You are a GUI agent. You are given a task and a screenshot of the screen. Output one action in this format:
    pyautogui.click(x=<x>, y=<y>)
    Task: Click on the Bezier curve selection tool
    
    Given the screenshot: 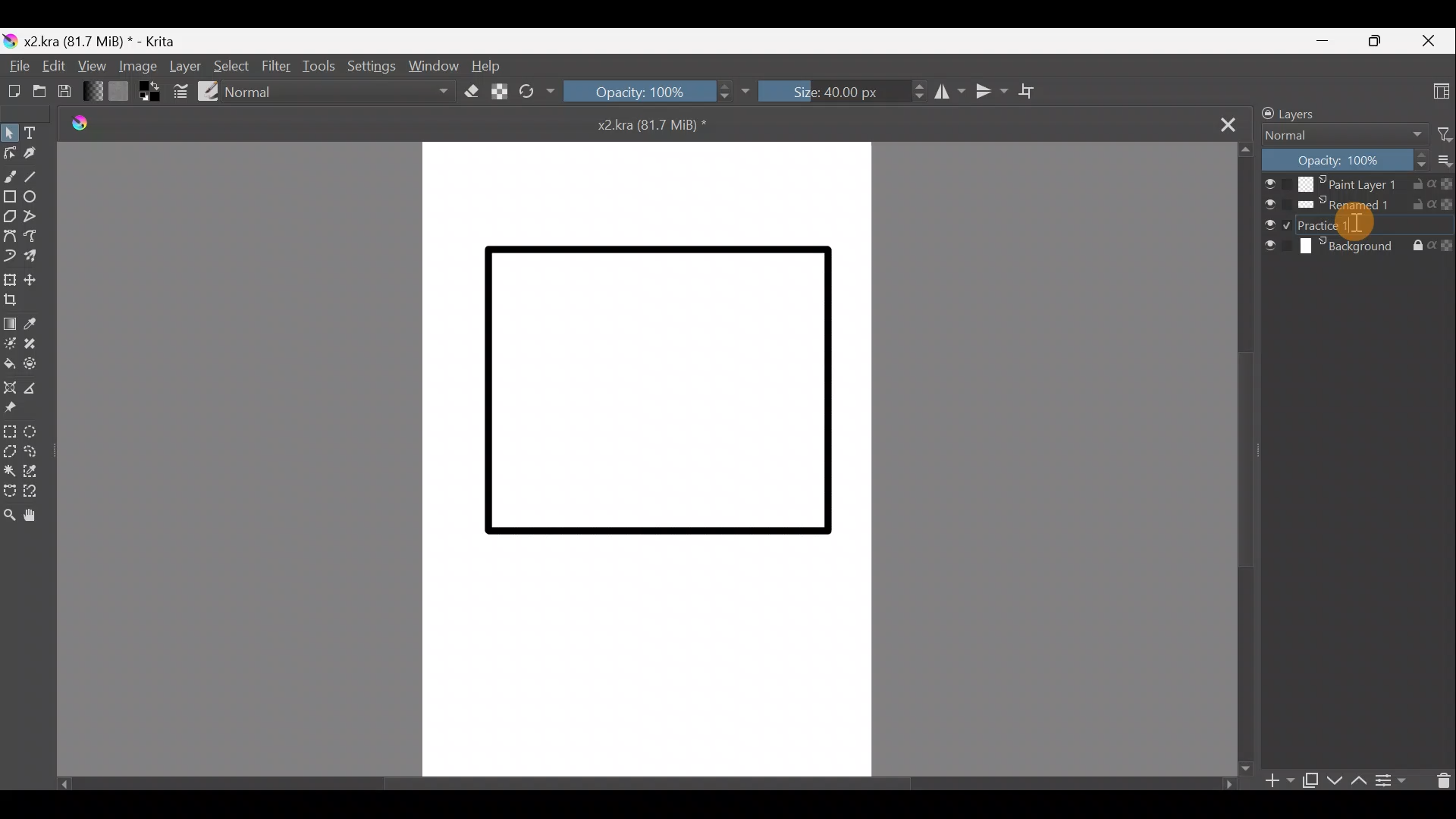 What is the action you would take?
    pyautogui.click(x=9, y=488)
    